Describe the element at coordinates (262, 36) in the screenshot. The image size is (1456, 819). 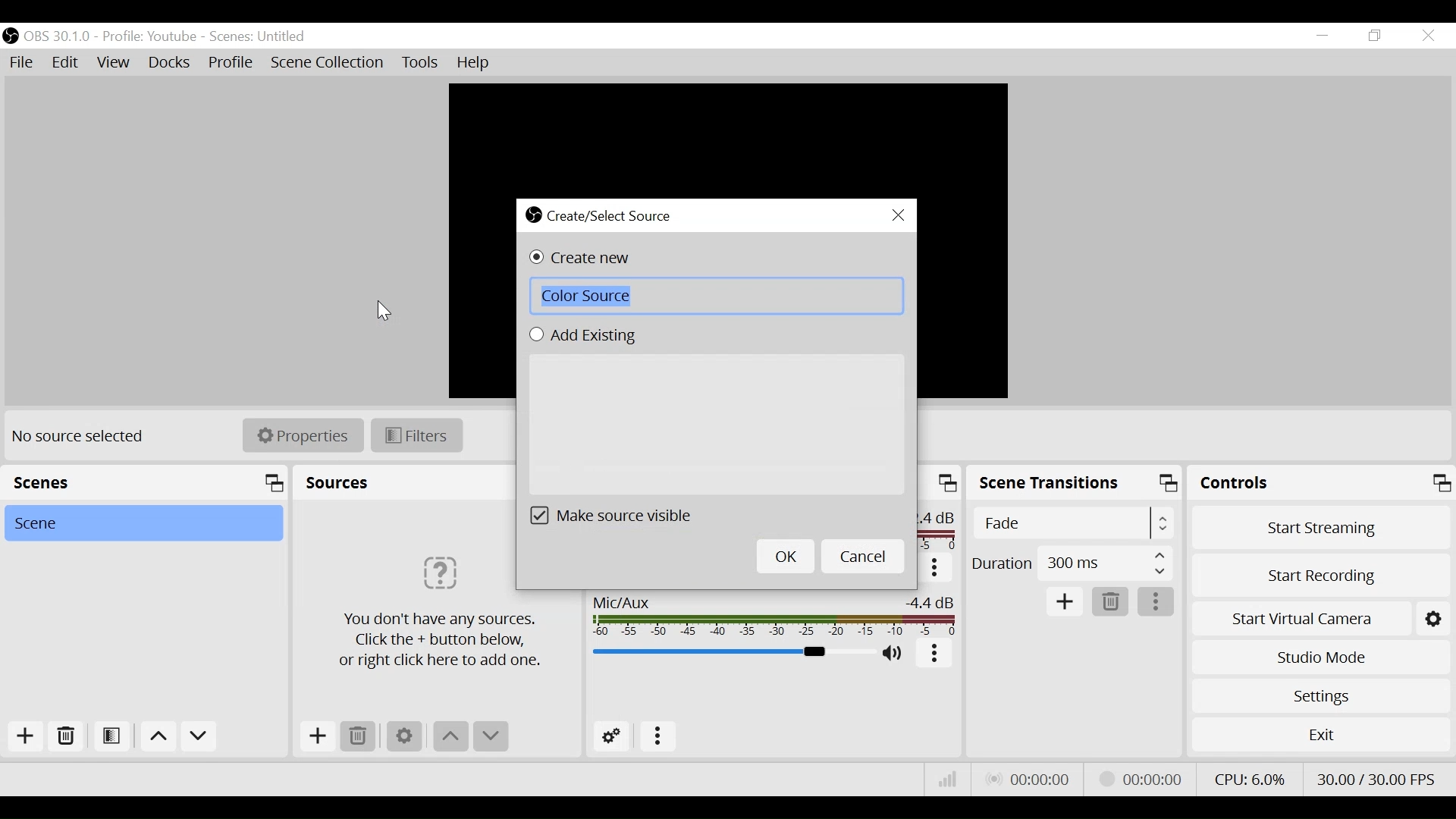
I see `Scenes` at that location.